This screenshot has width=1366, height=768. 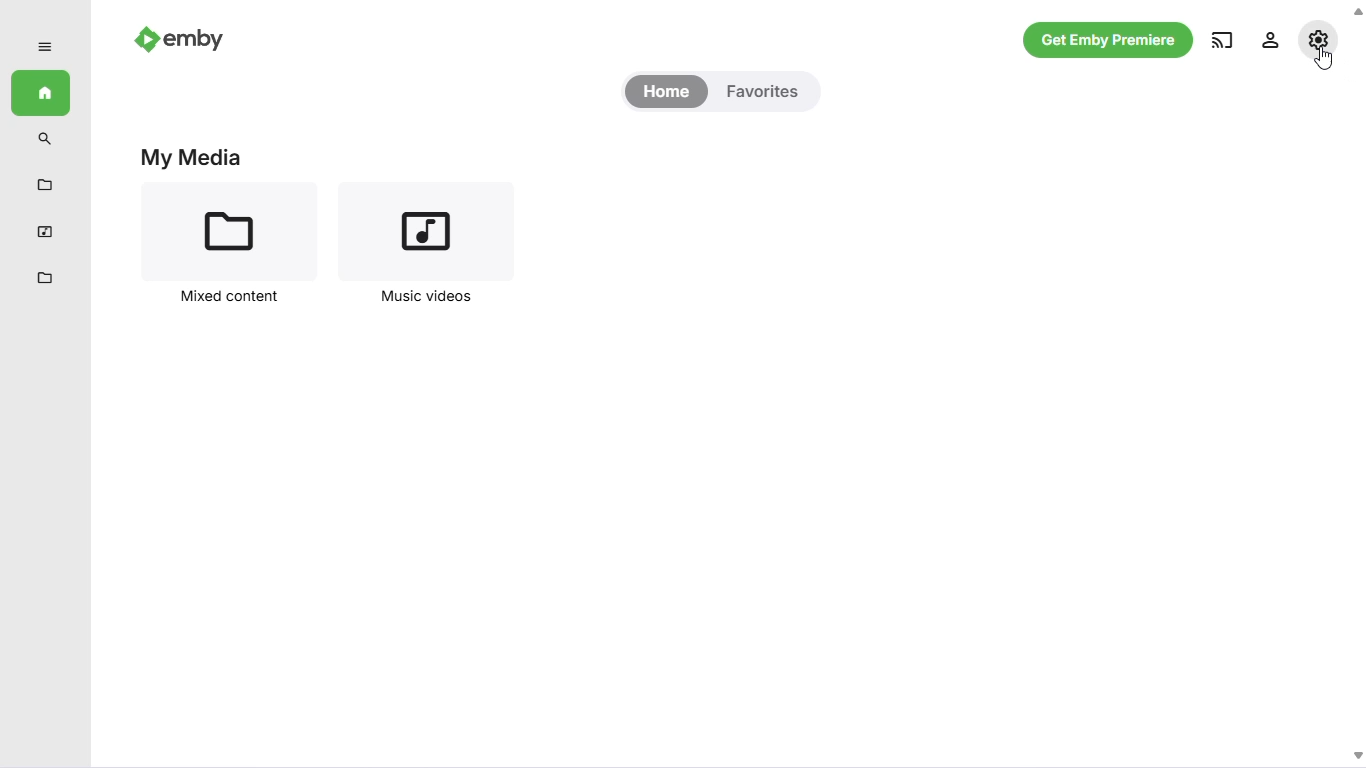 I want to click on metadata manager, so click(x=44, y=277).